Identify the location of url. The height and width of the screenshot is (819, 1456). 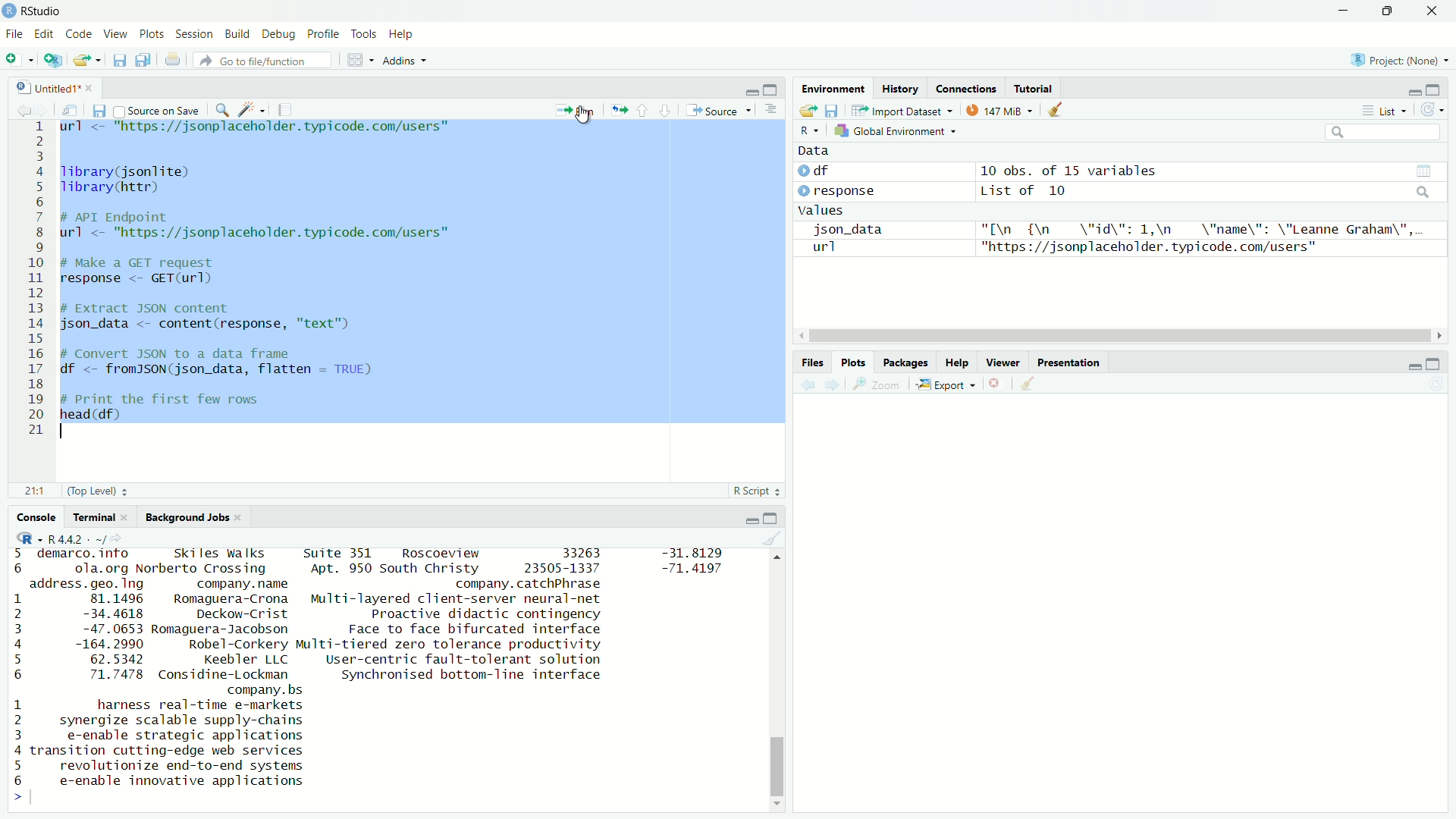
(821, 248).